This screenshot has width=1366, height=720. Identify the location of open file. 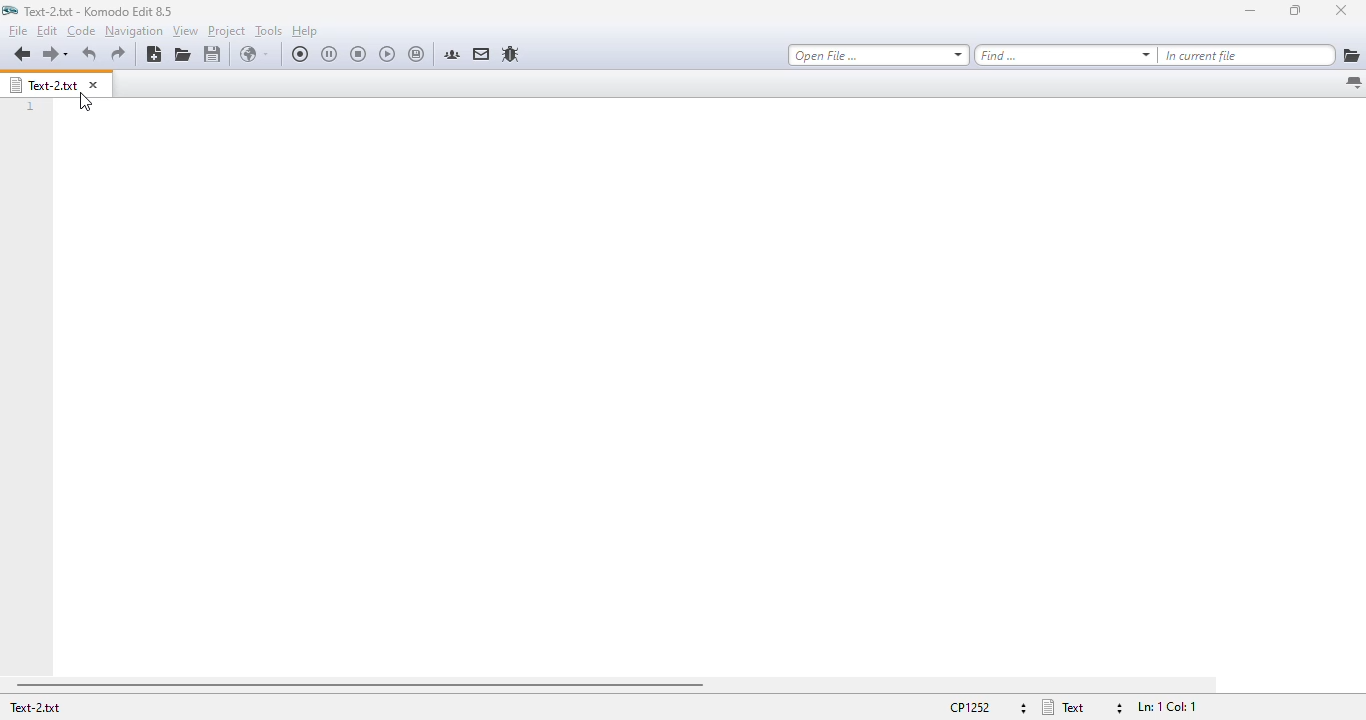
(182, 55).